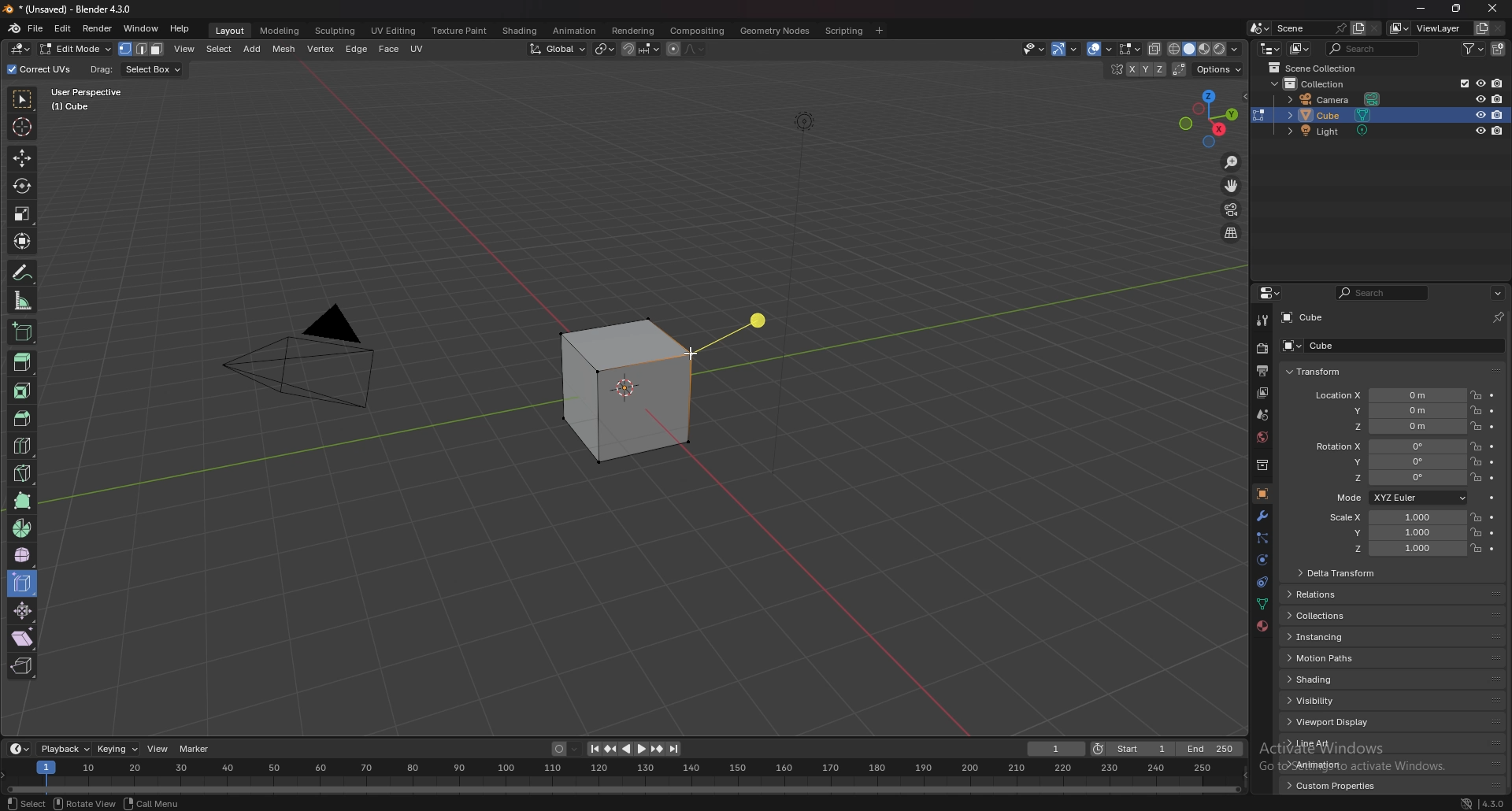 The image size is (1512, 811). I want to click on show overlays, so click(1128, 49).